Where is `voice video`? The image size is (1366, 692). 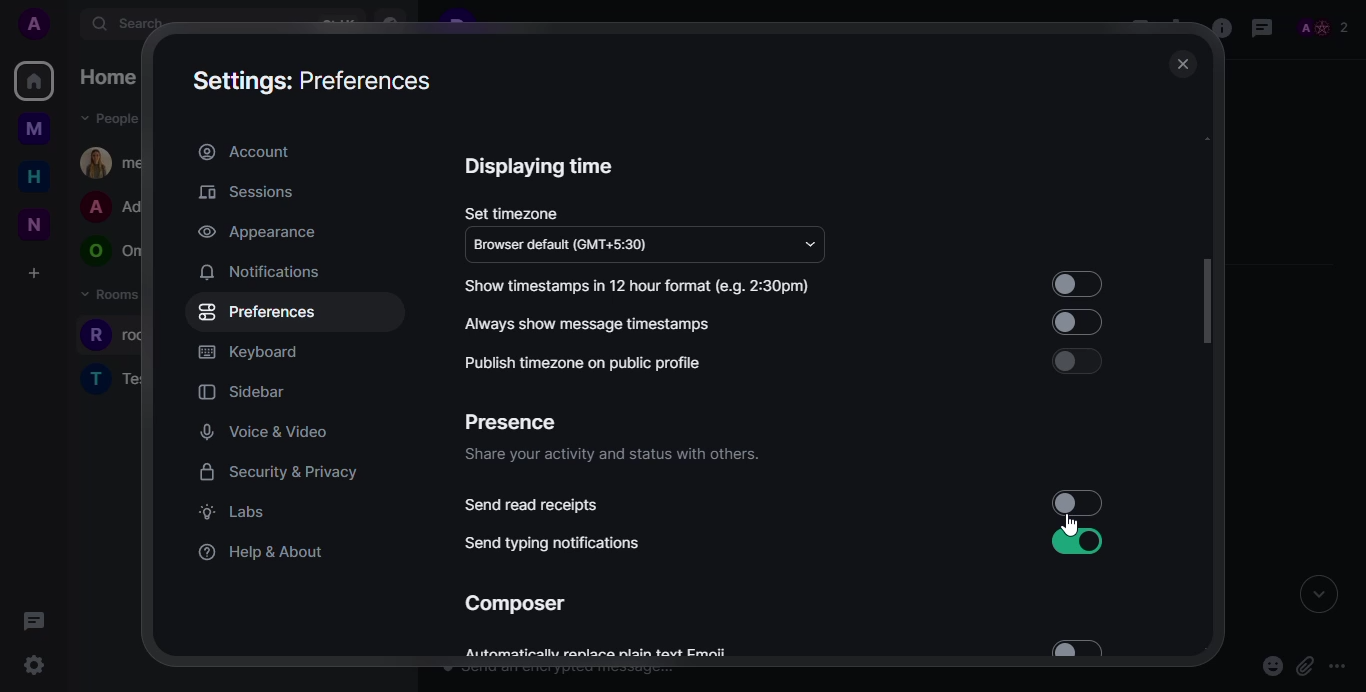
voice video is located at coordinates (265, 432).